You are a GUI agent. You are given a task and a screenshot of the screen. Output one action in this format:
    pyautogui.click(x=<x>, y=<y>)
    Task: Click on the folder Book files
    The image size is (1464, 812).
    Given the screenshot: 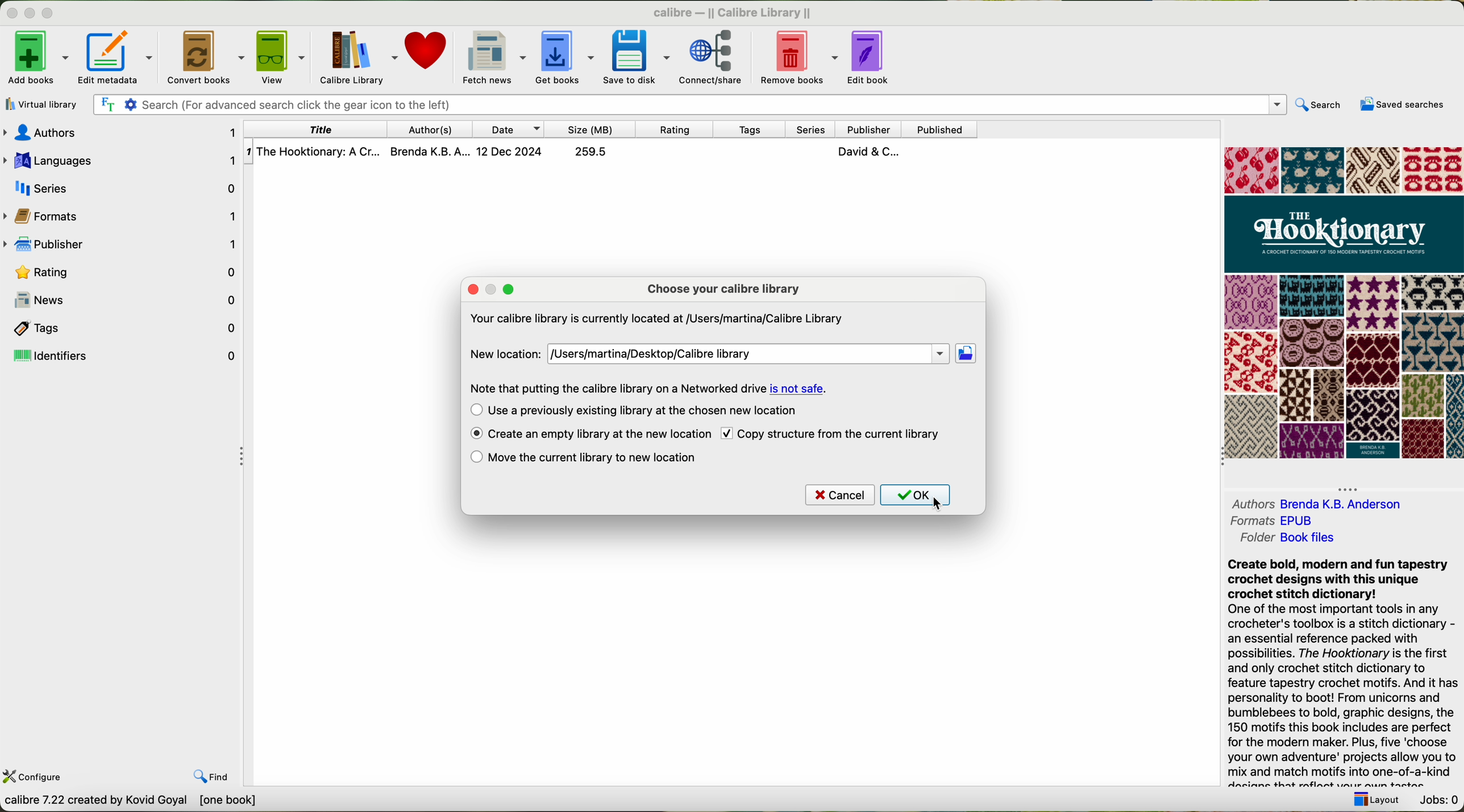 What is the action you would take?
    pyautogui.click(x=1290, y=540)
    